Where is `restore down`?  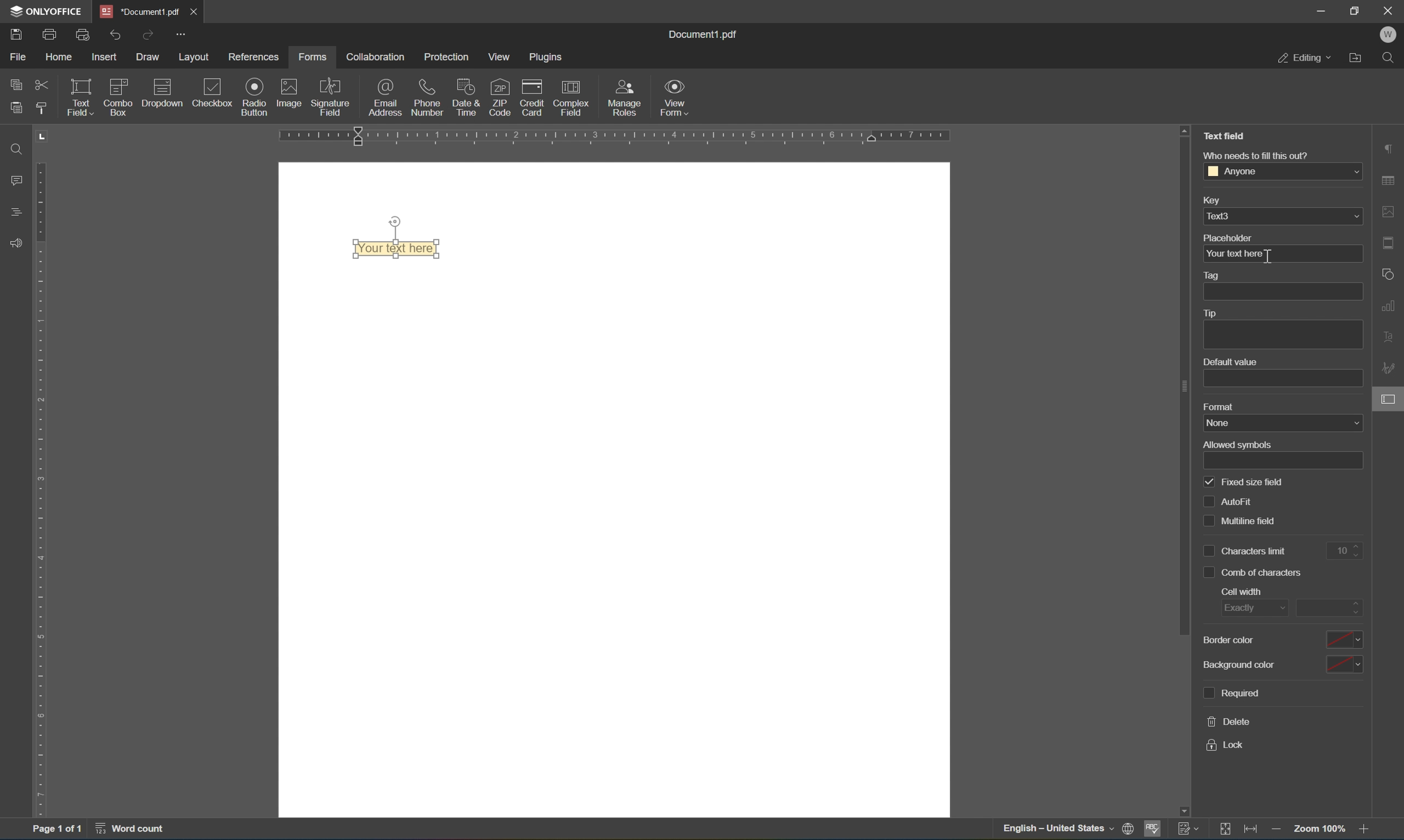
restore down is located at coordinates (1356, 10).